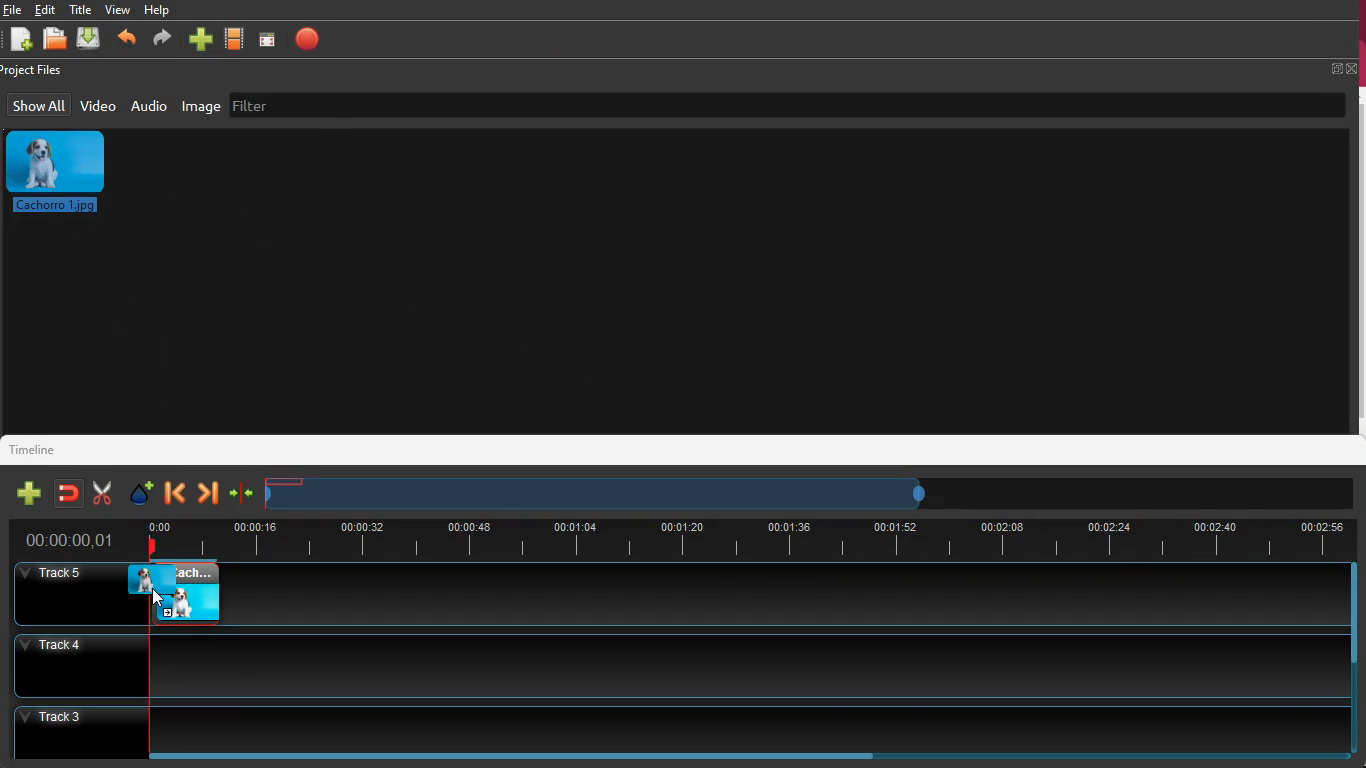 Image resolution: width=1366 pixels, height=768 pixels. What do you see at coordinates (668, 727) in the screenshot?
I see `track3` at bounding box center [668, 727].